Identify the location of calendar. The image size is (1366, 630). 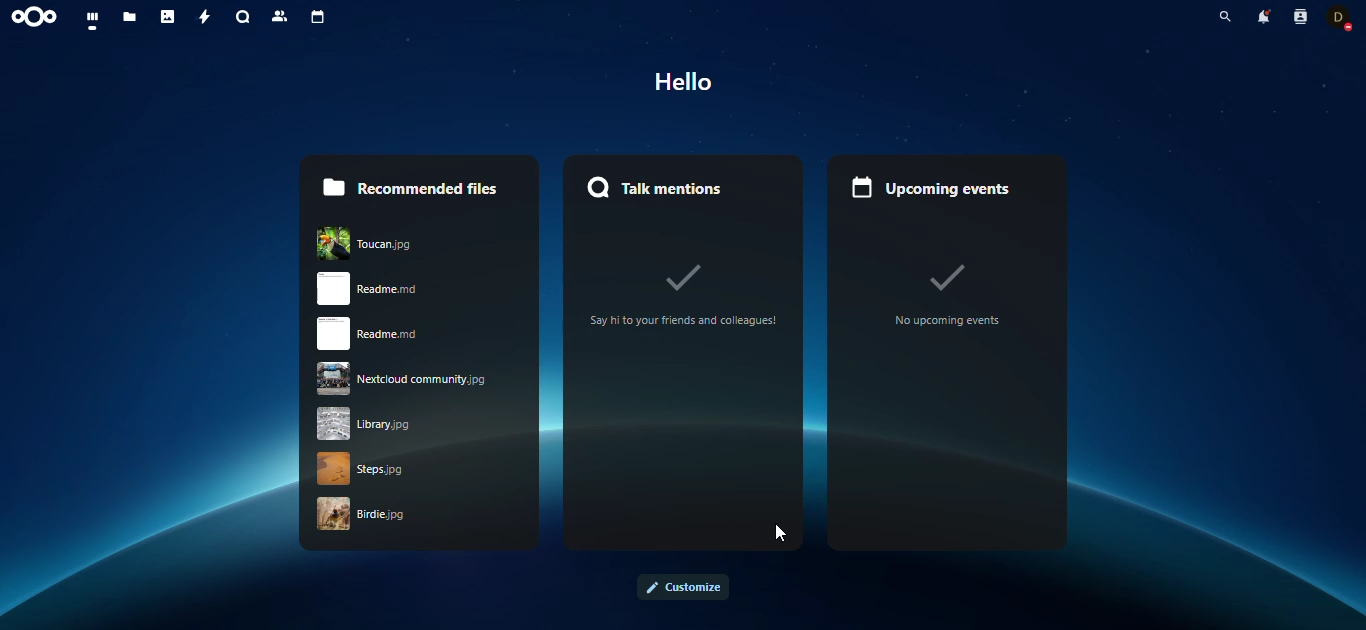
(319, 18).